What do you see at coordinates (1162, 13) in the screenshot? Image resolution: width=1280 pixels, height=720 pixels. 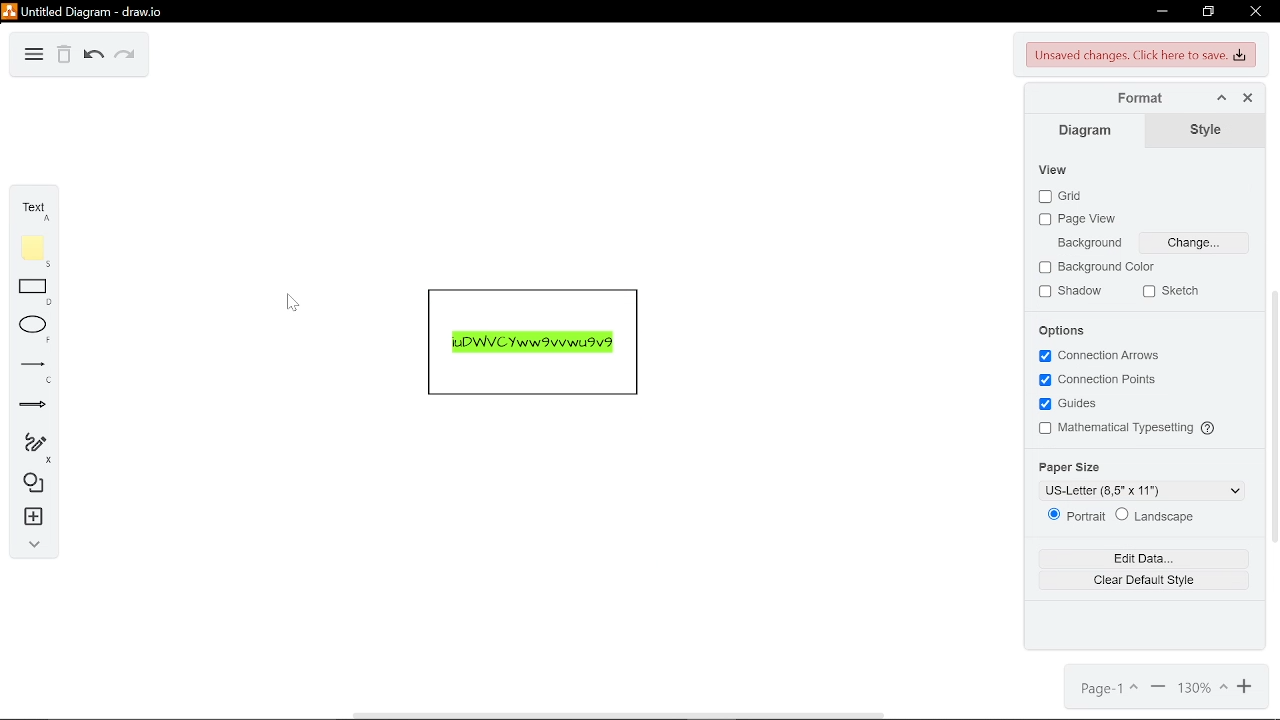 I see `minimize` at bounding box center [1162, 13].